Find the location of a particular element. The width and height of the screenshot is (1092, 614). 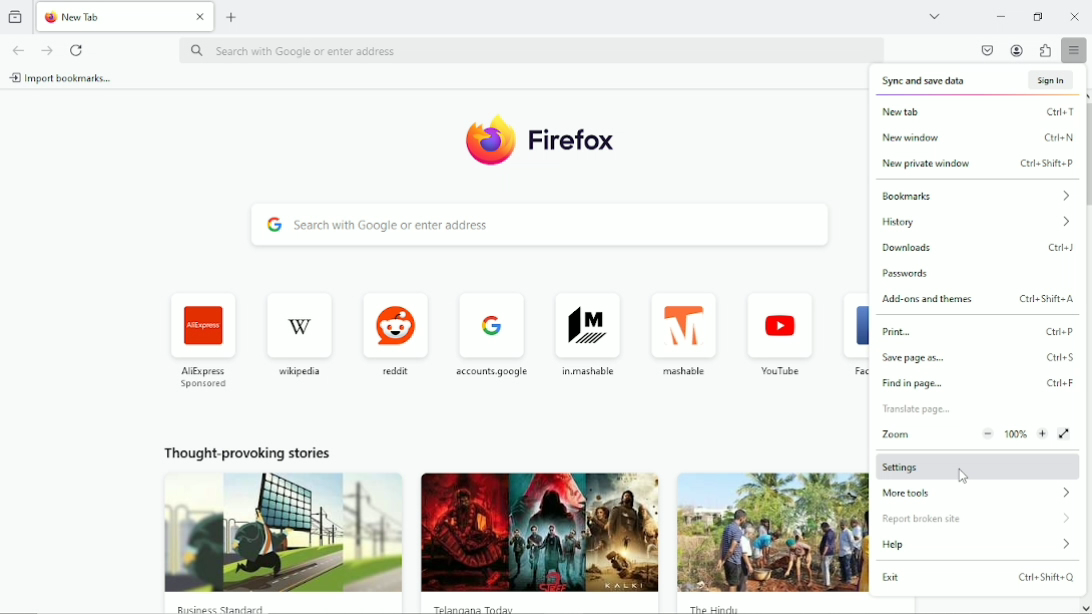

accounts google is located at coordinates (490, 334).